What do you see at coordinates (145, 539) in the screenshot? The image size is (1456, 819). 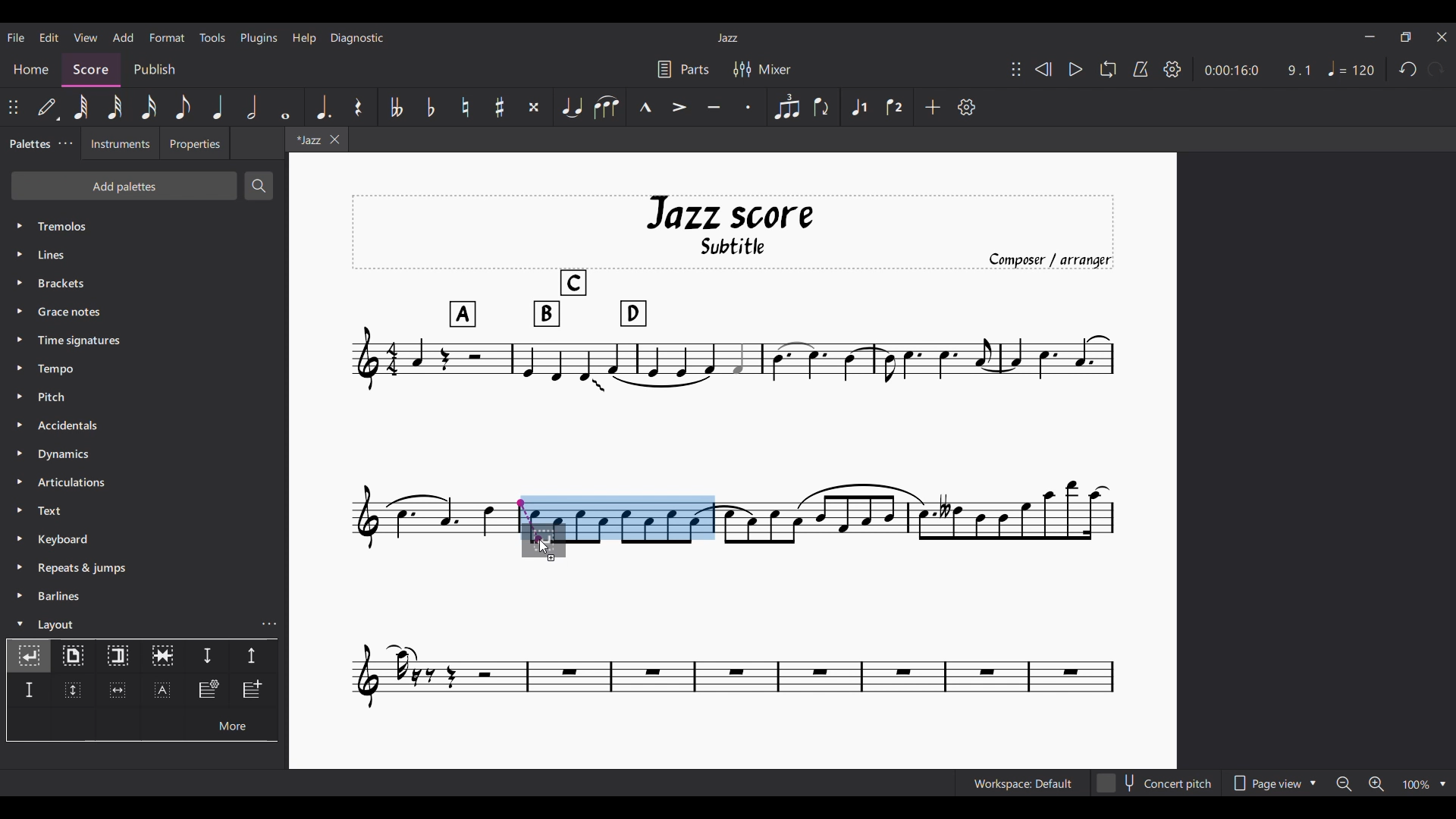 I see `Keyboard` at bounding box center [145, 539].